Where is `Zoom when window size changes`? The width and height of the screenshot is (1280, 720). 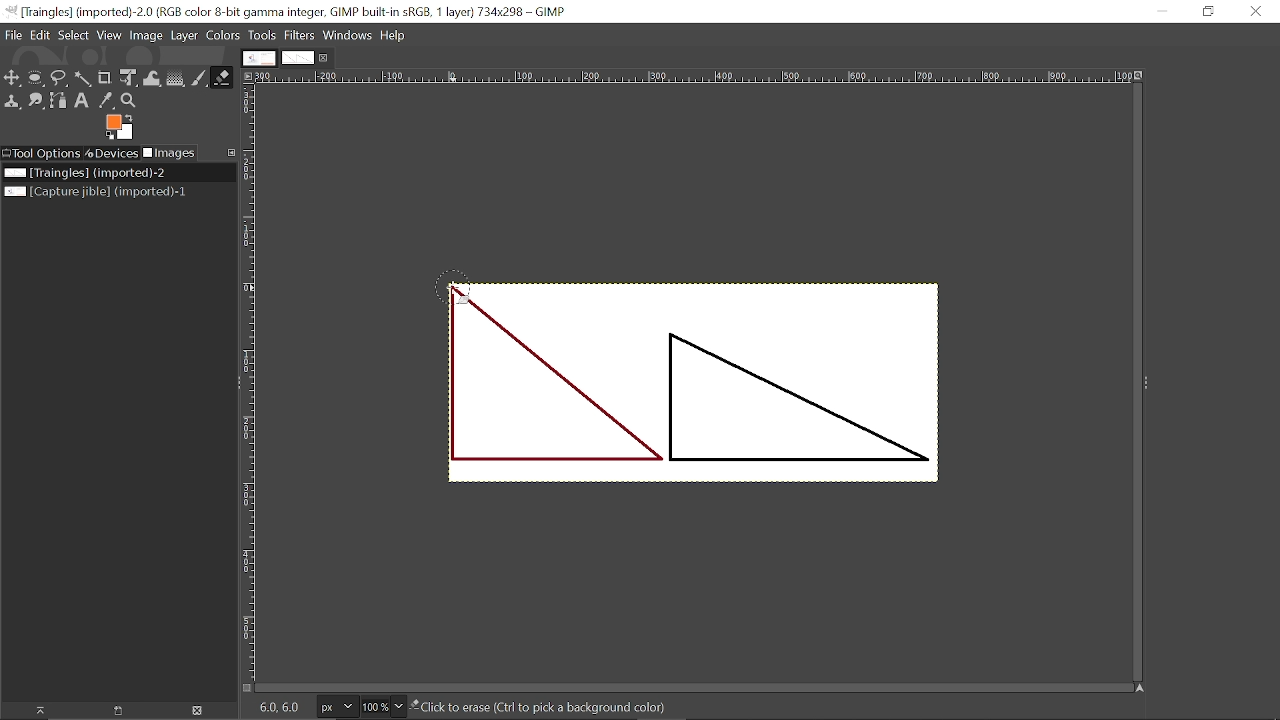
Zoom when window size changes is located at coordinates (1142, 77).